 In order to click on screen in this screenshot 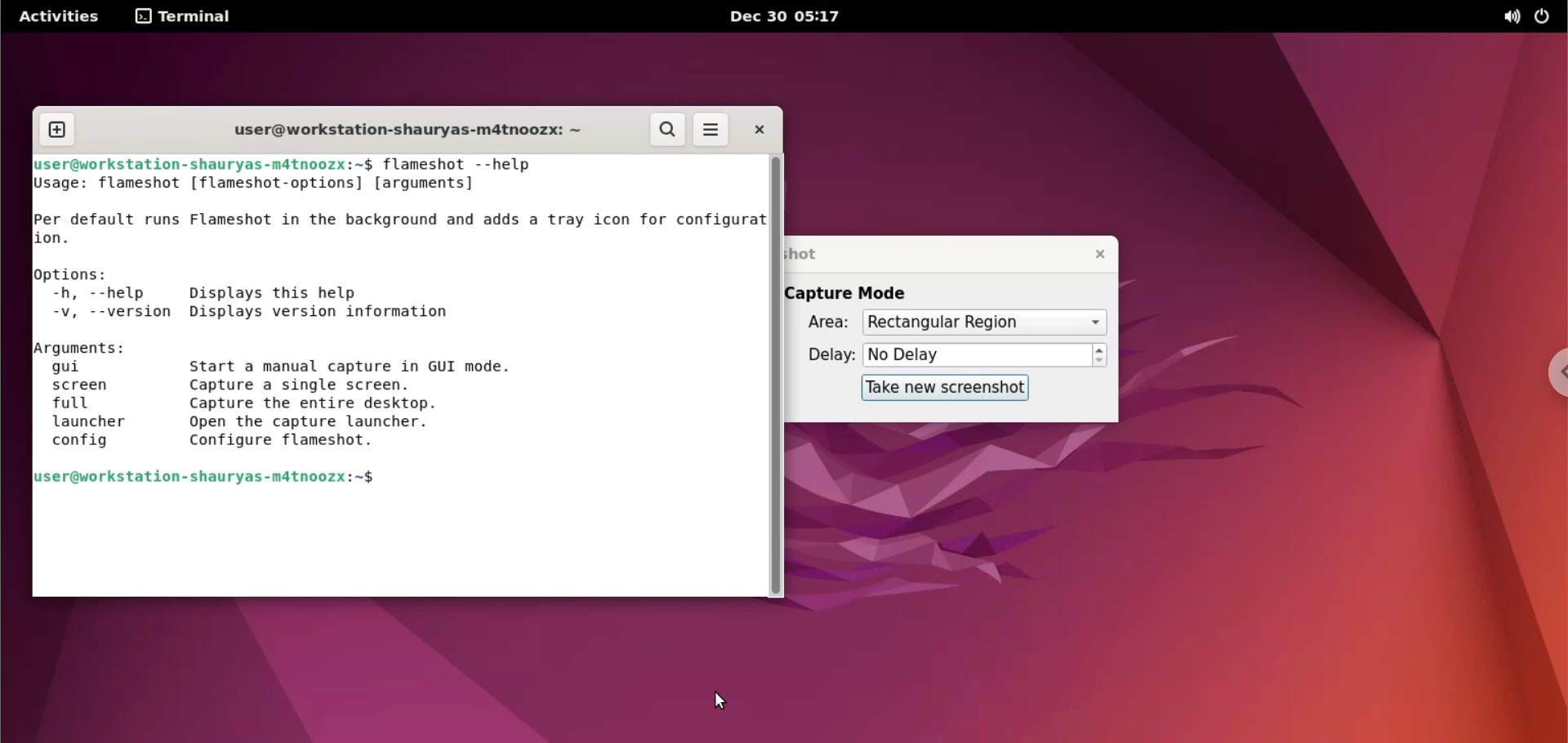, I will do `click(92, 386)`.